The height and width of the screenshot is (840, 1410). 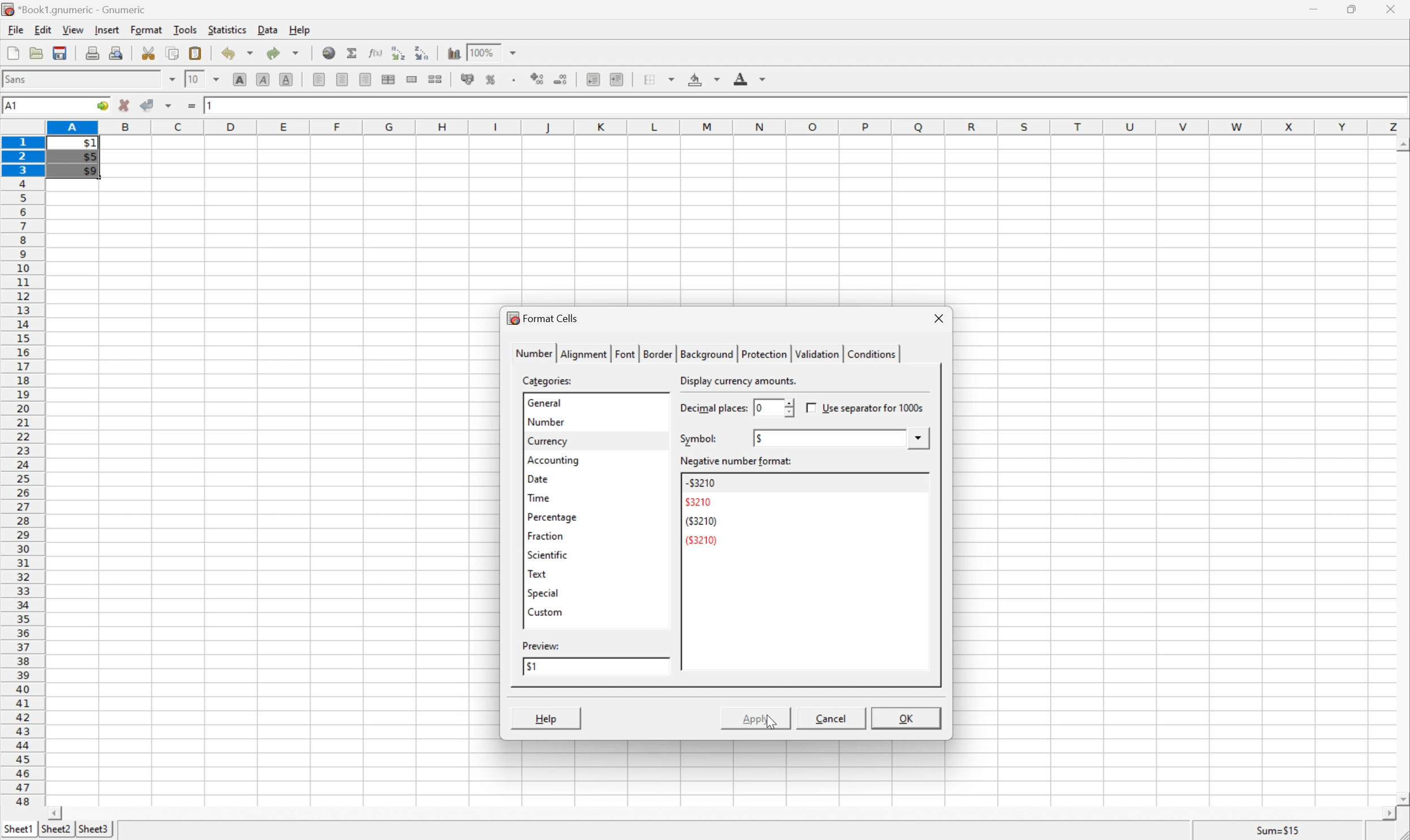 What do you see at coordinates (468, 79) in the screenshot?
I see `format selection as accounting` at bounding box center [468, 79].